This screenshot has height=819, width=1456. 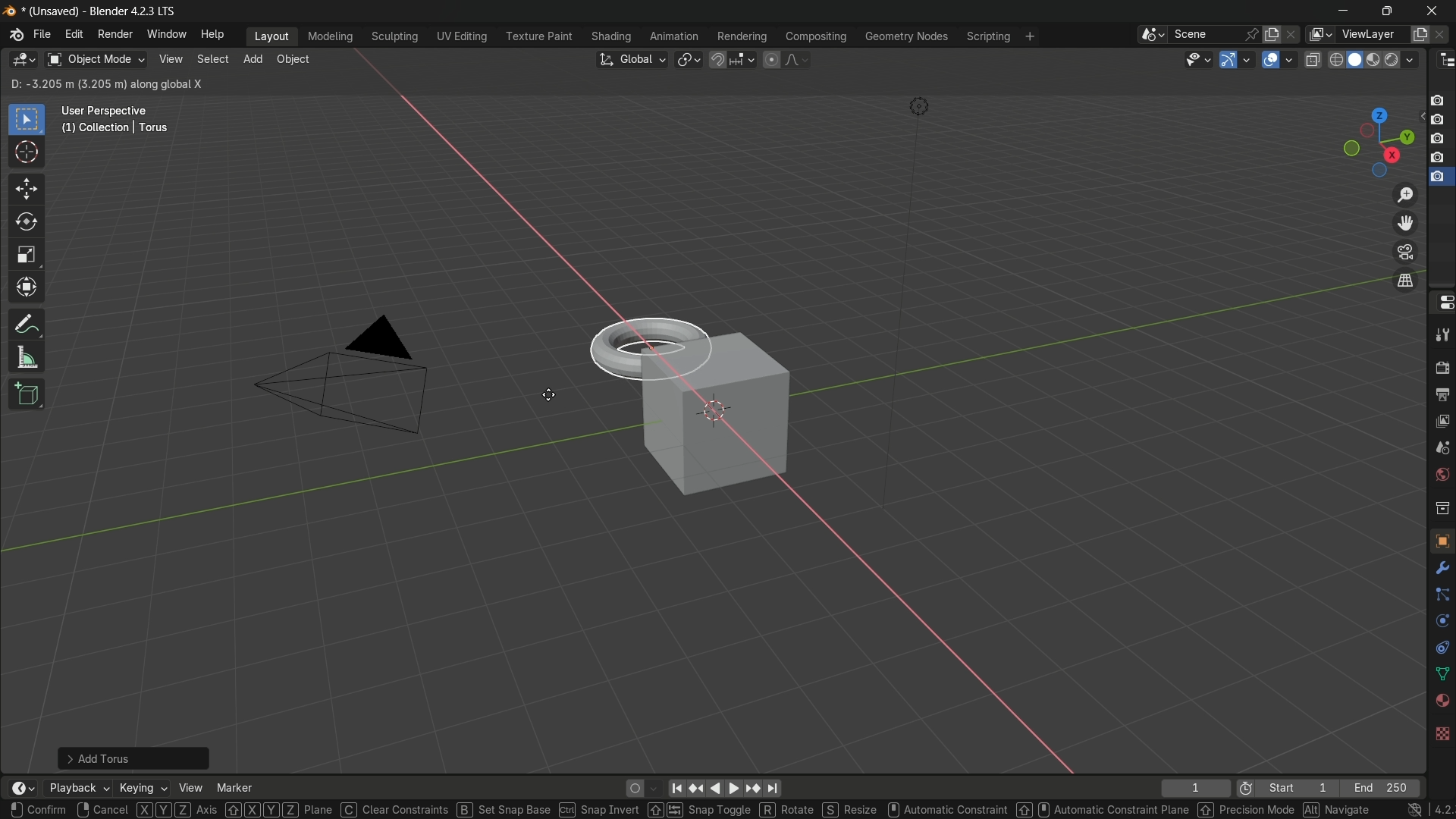 What do you see at coordinates (918, 107) in the screenshot?
I see `light` at bounding box center [918, 107].